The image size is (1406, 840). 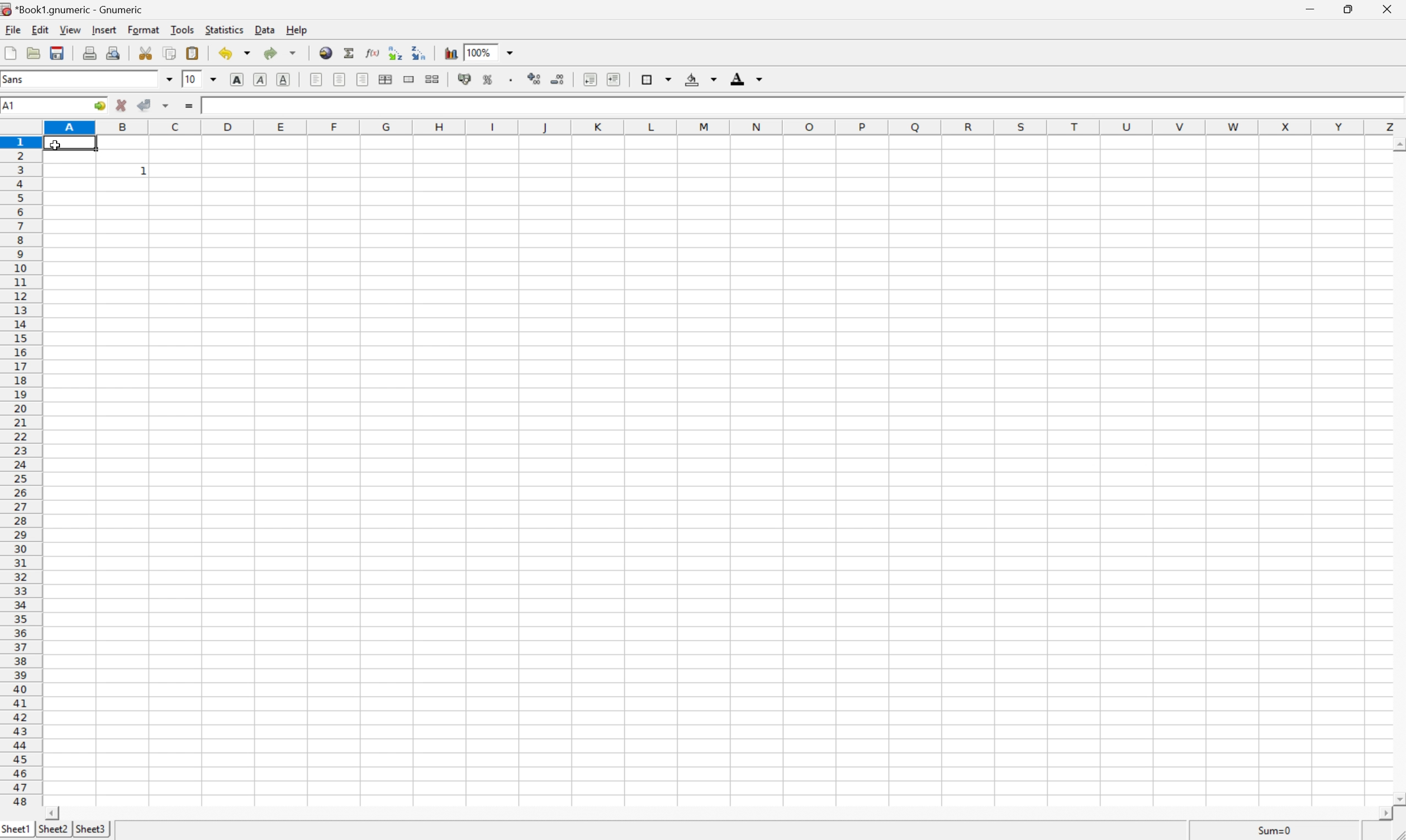 I want to click on , so click(x=11, y=31).